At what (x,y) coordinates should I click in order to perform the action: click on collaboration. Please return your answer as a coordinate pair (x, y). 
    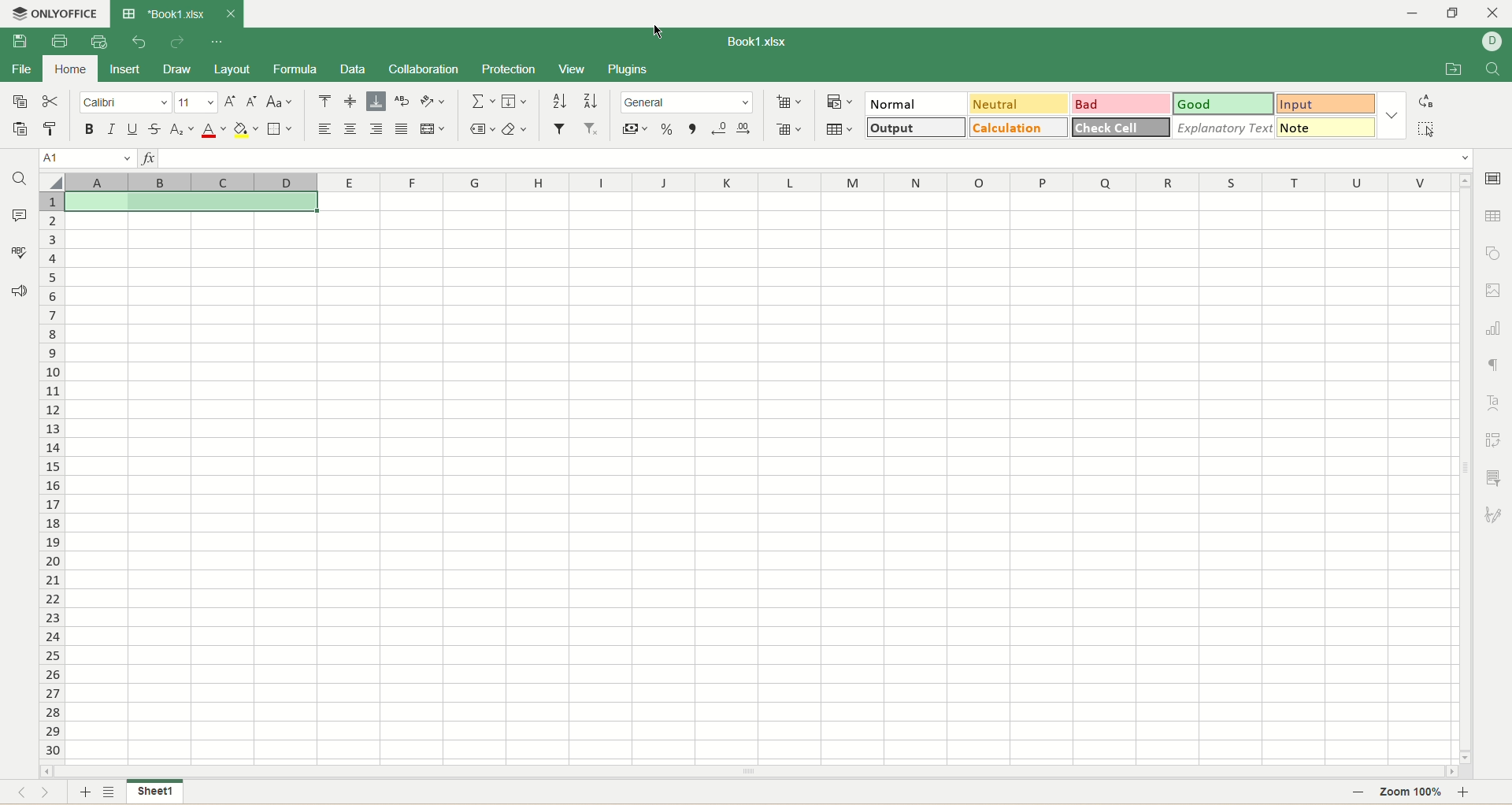
    Looking at the image, I should click on (426, 70).